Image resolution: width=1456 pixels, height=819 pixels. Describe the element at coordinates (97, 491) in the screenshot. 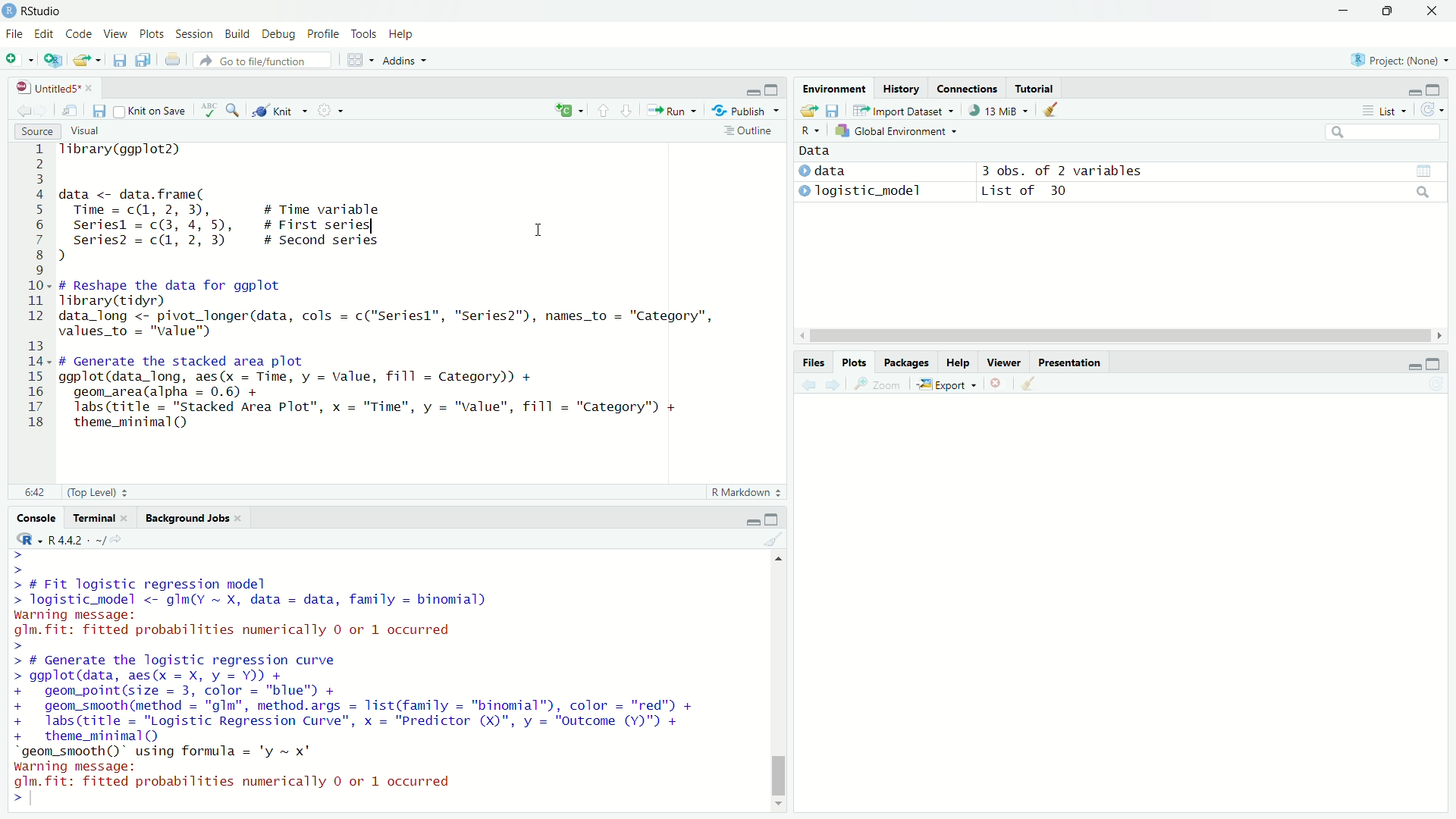

I see `(Top Level) ` at that location.